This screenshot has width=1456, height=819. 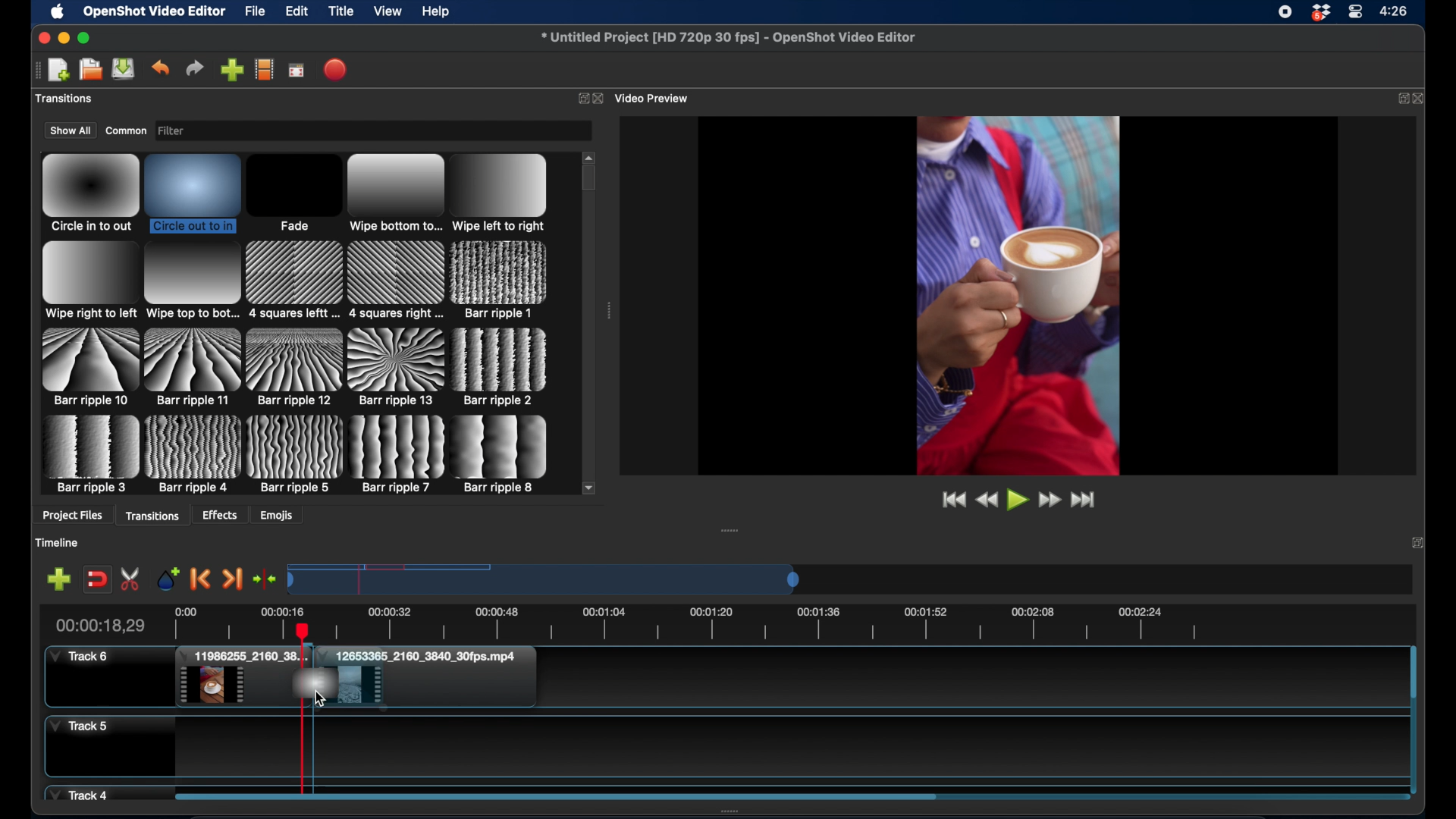 What do you see at coordinates (600, 99) in the screenshot?
I see `close` at bounding box center [600, 99].